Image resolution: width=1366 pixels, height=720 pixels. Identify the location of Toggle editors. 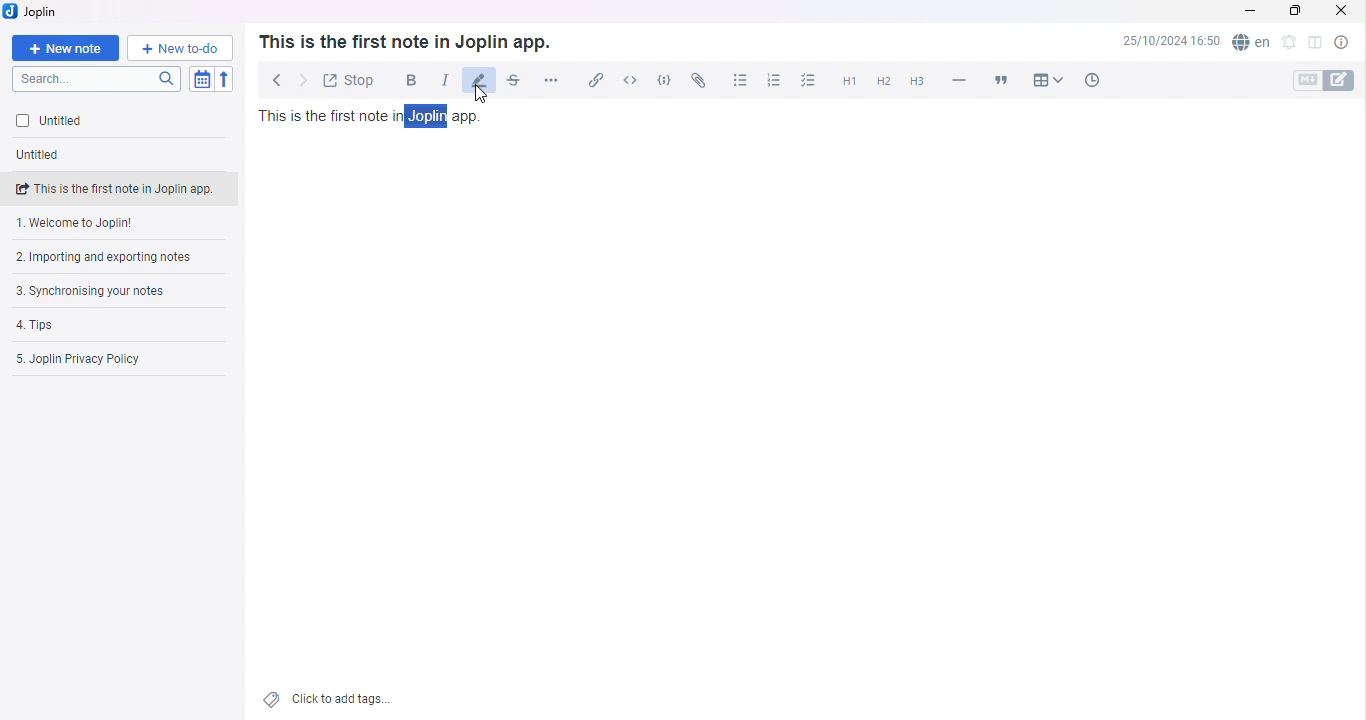
(1305, 80).